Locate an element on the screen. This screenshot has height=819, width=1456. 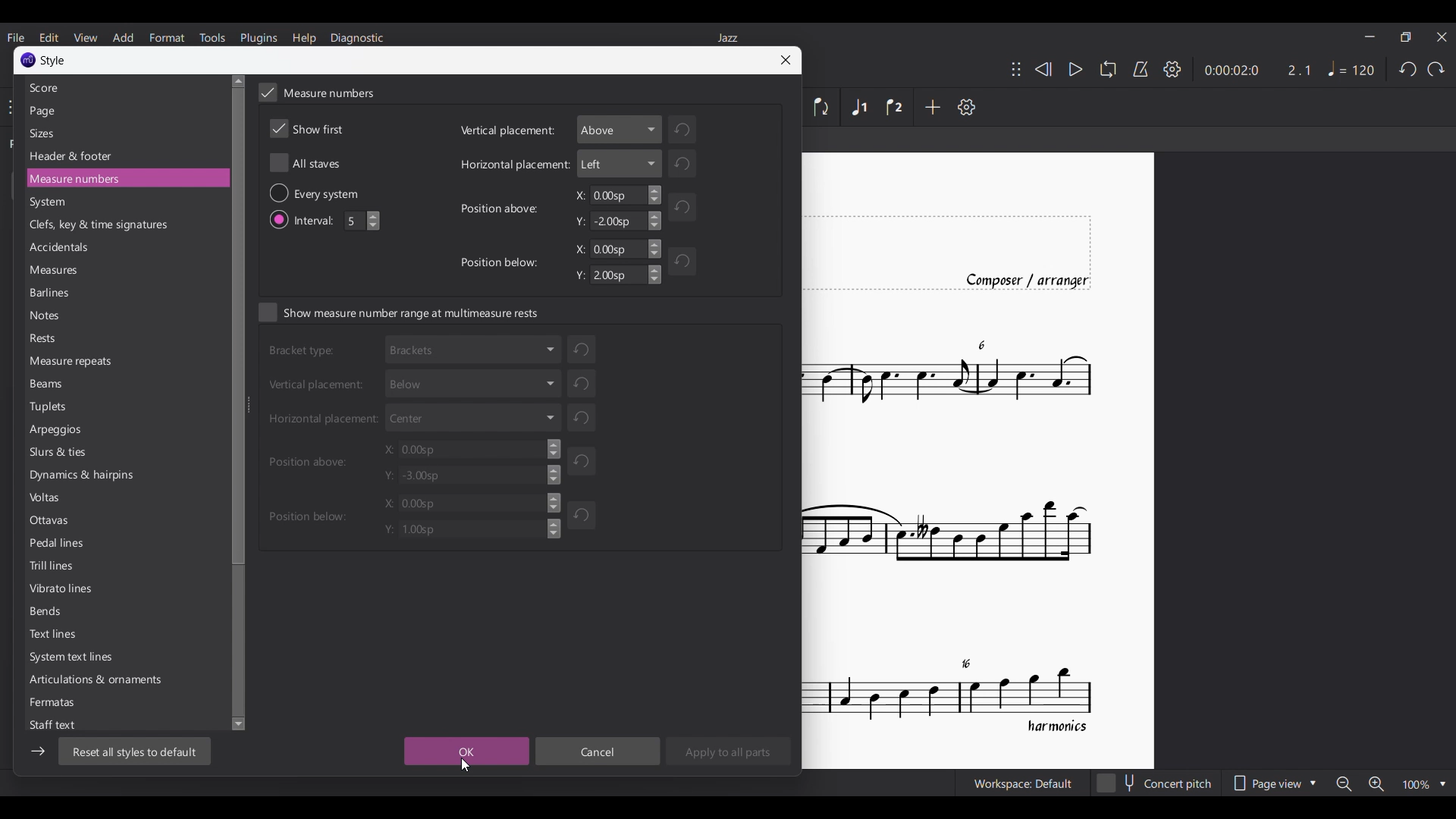
Position below is located at coordinates (505, 265).